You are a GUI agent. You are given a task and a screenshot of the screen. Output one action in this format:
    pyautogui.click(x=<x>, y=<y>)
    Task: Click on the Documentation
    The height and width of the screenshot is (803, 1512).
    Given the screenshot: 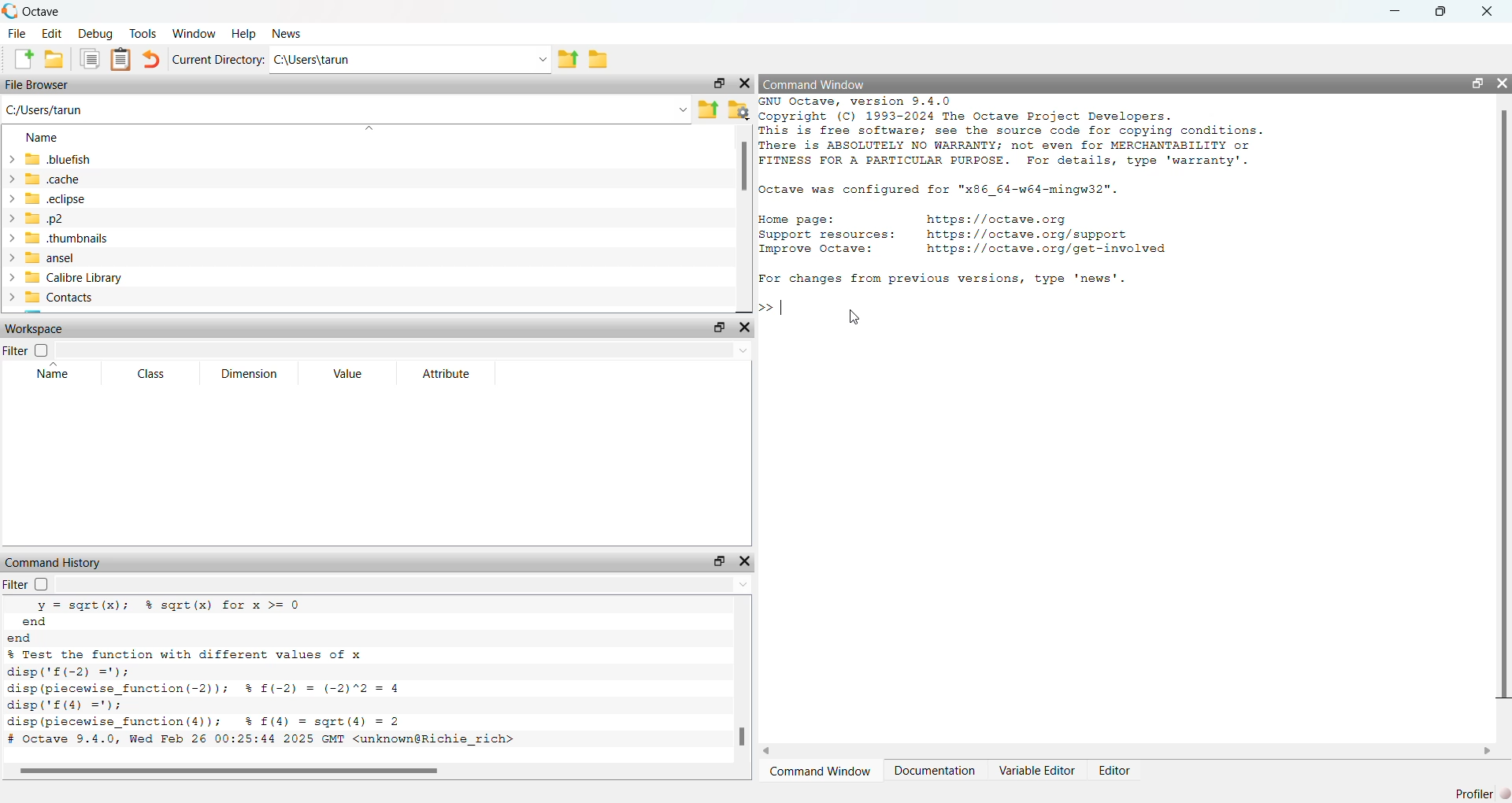 What is the action you would take?
    pyautogui.click(x=937, y=769)
    